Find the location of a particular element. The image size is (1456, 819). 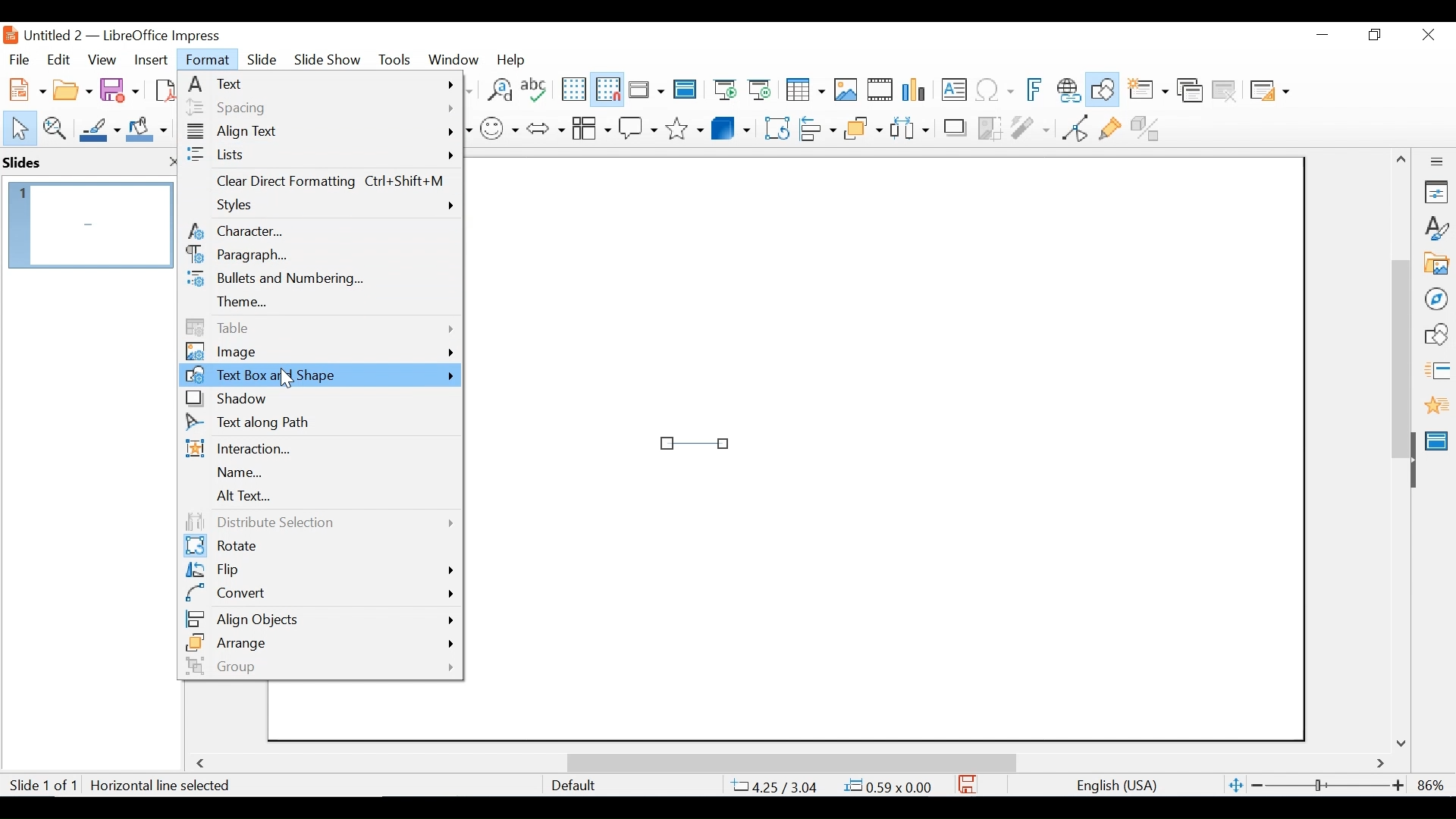

Styles is located at coordinates (322, 207).